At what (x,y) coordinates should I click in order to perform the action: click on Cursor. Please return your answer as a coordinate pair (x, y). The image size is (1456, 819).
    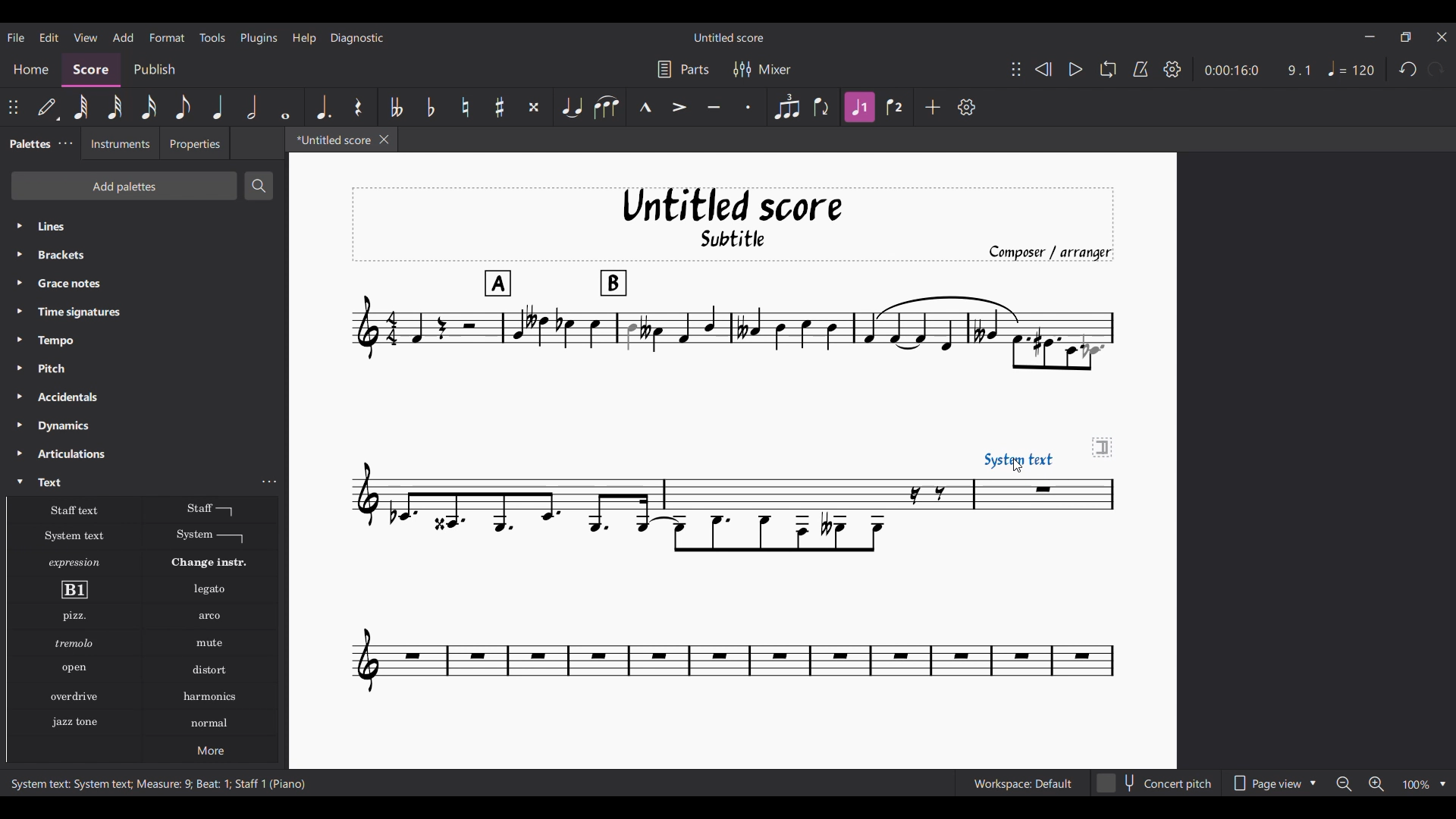
    Looking at the image, I should click on (1017, 465).